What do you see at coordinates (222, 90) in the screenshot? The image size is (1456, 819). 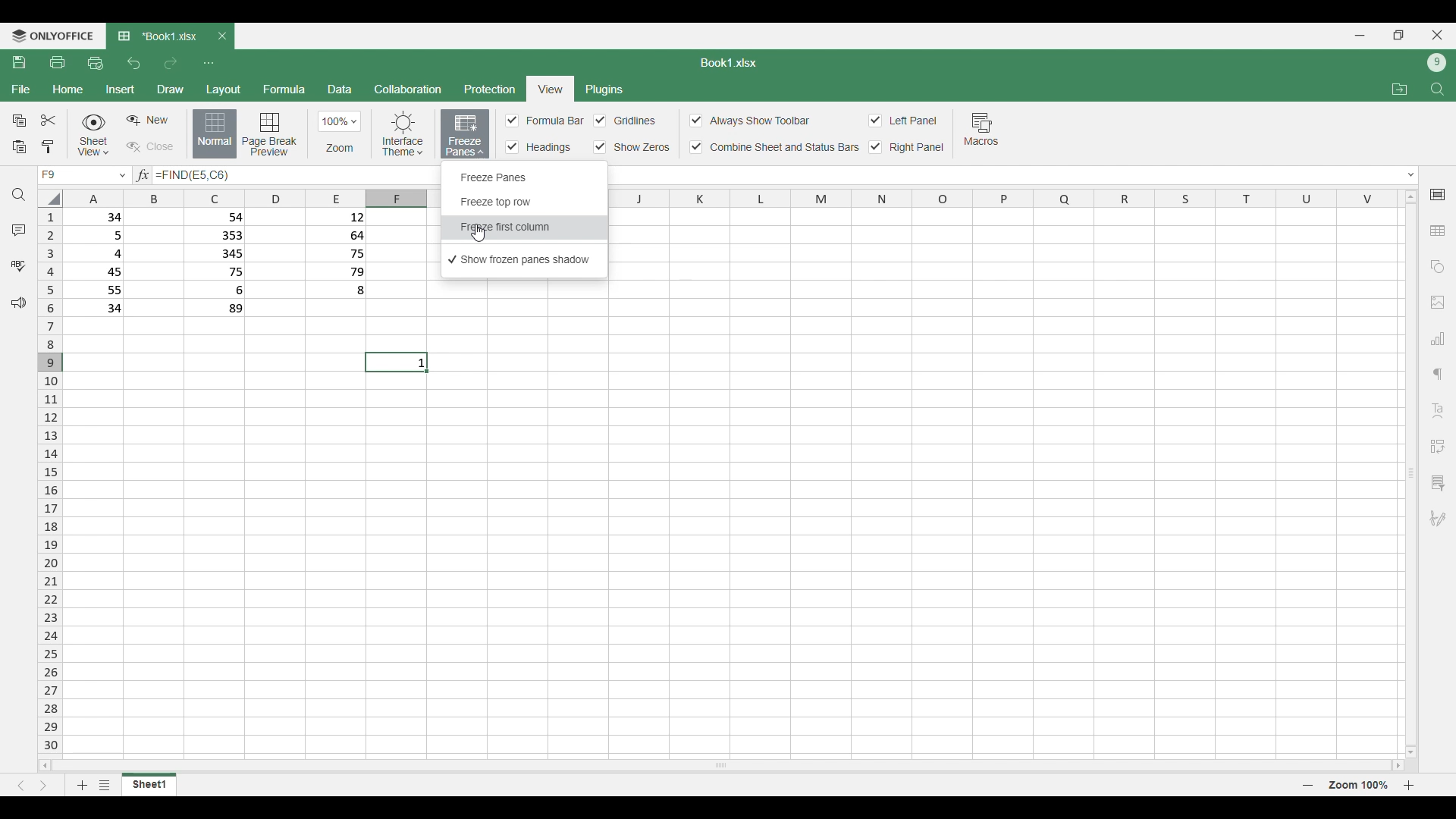 I see `Layout menu` at bounding box center [222, 90].